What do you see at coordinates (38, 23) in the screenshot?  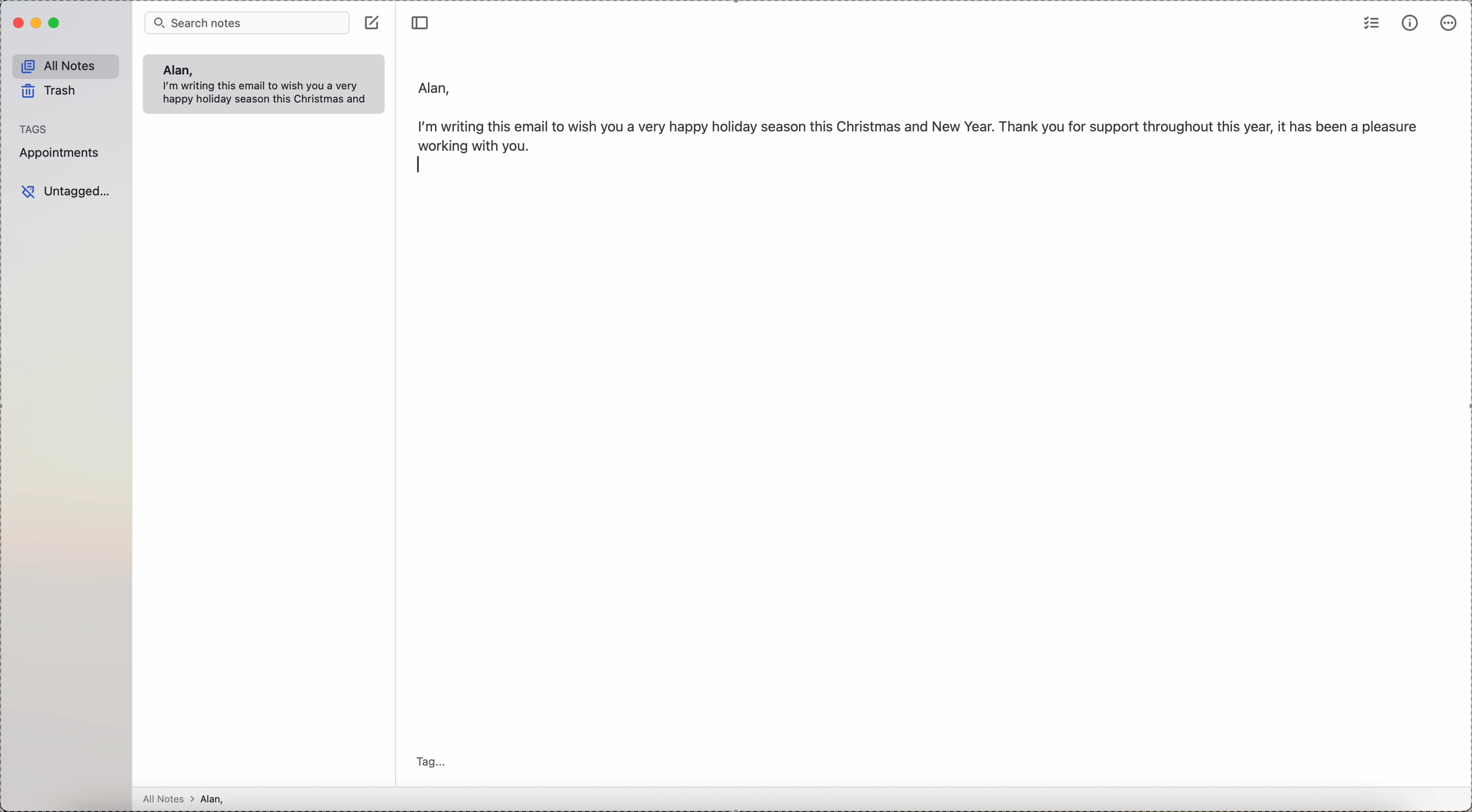 I see `minimize Simplenote` at bounding box center [38, 23].